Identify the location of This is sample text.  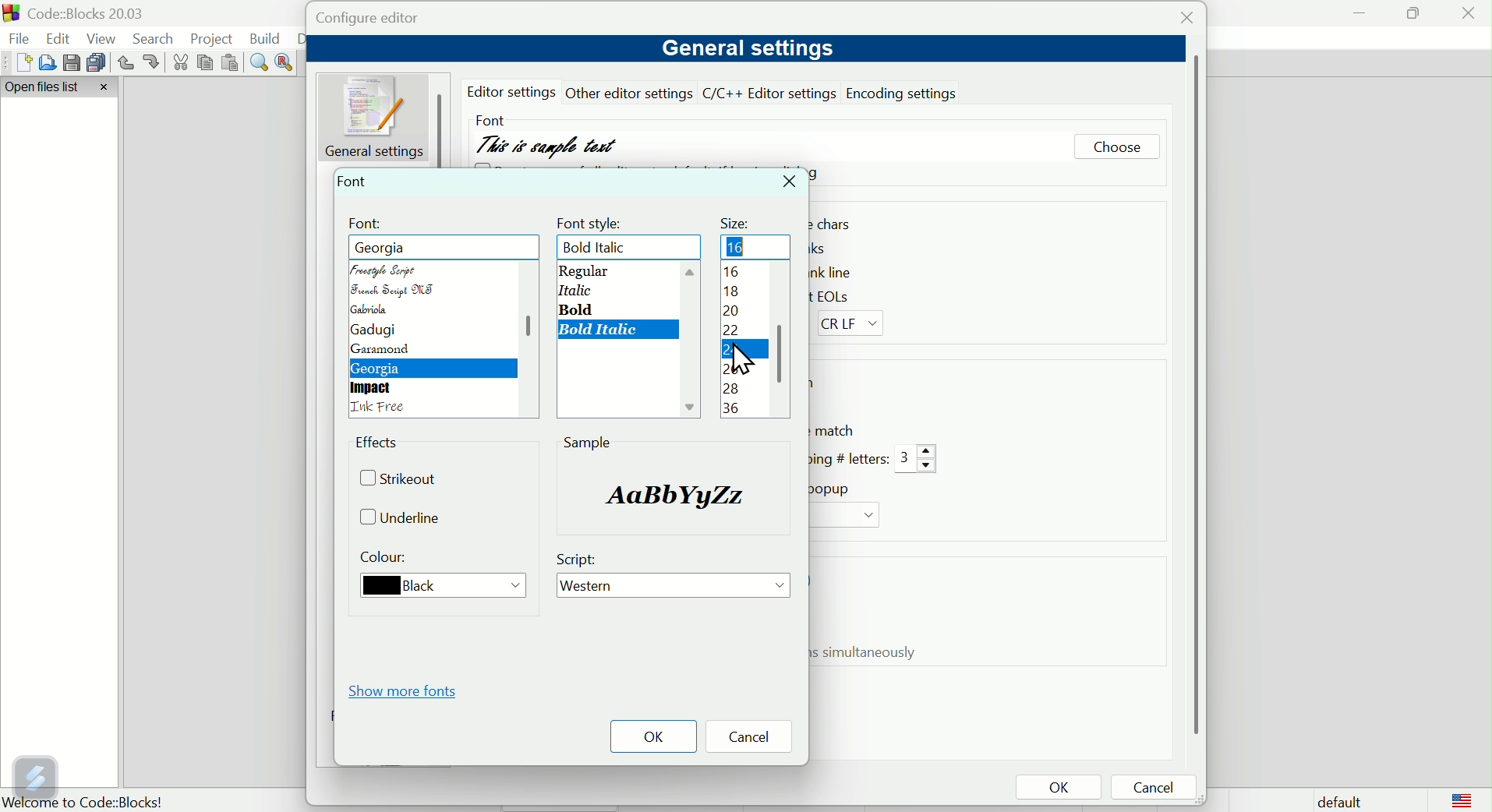
(550, 141).